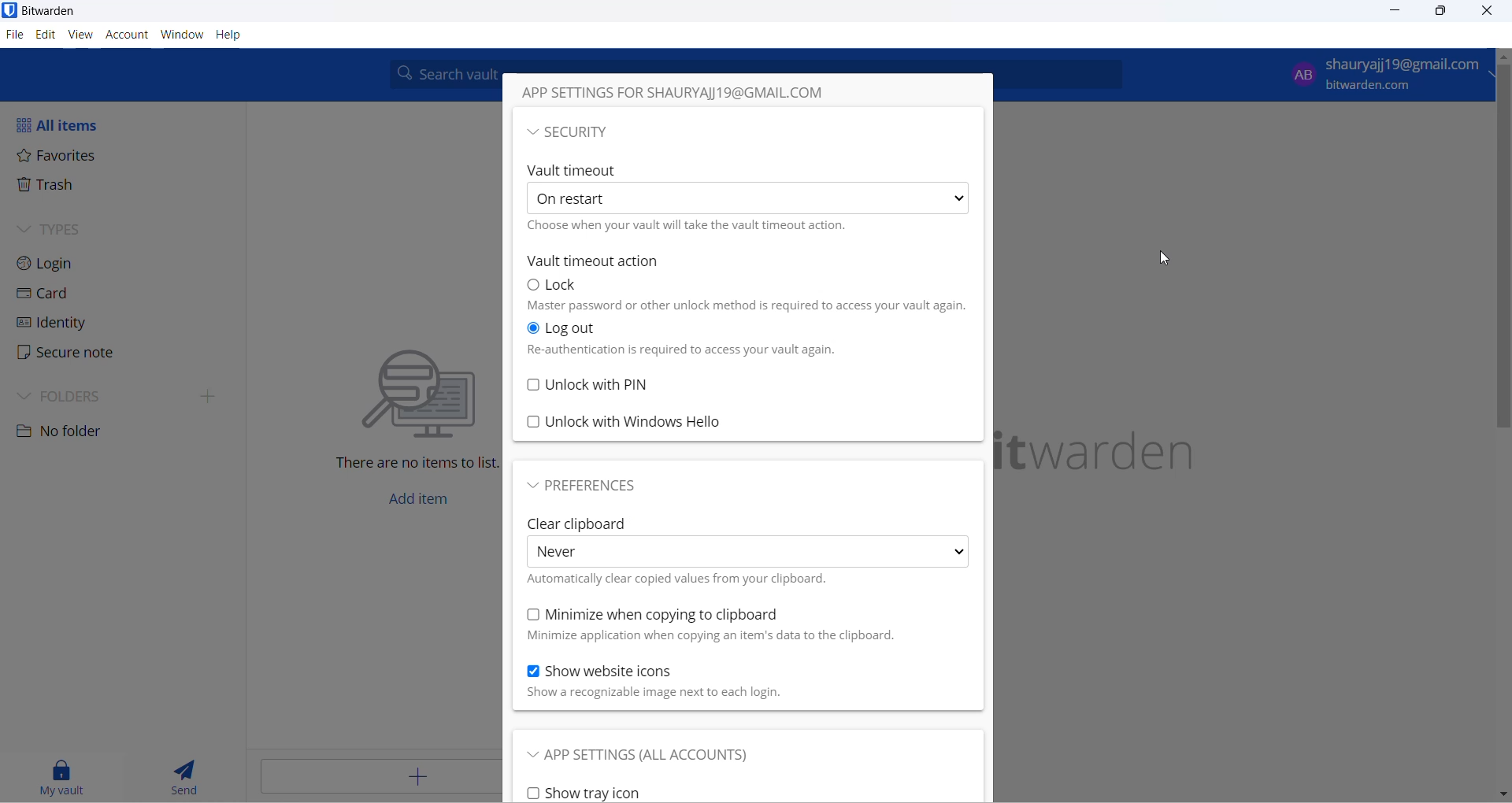 The image size is (1512, 803). I want to click on scroll up button, so click(1501, 57).